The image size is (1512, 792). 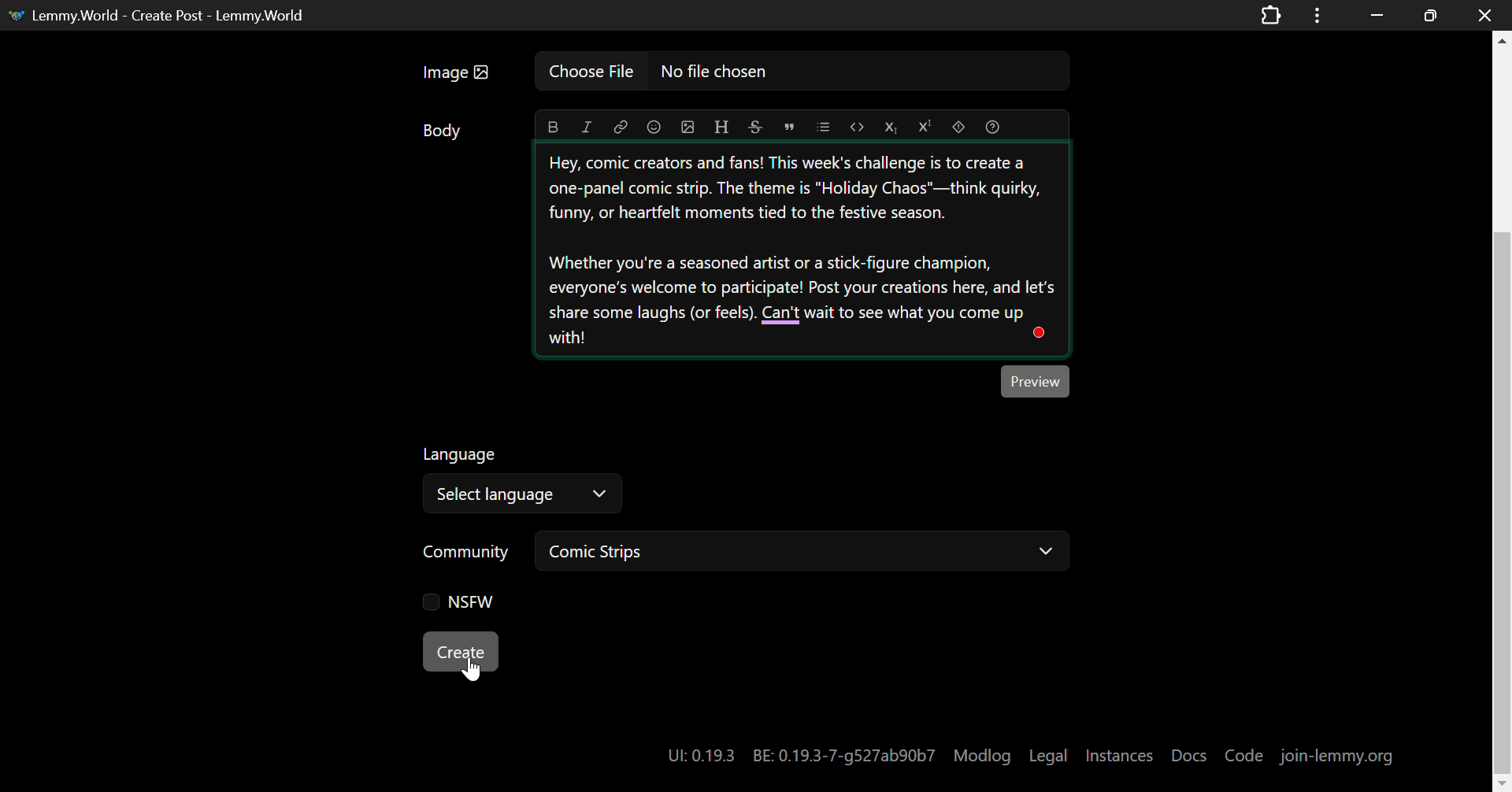 I want to click on Restore Down, so click(x=1377, y=13).